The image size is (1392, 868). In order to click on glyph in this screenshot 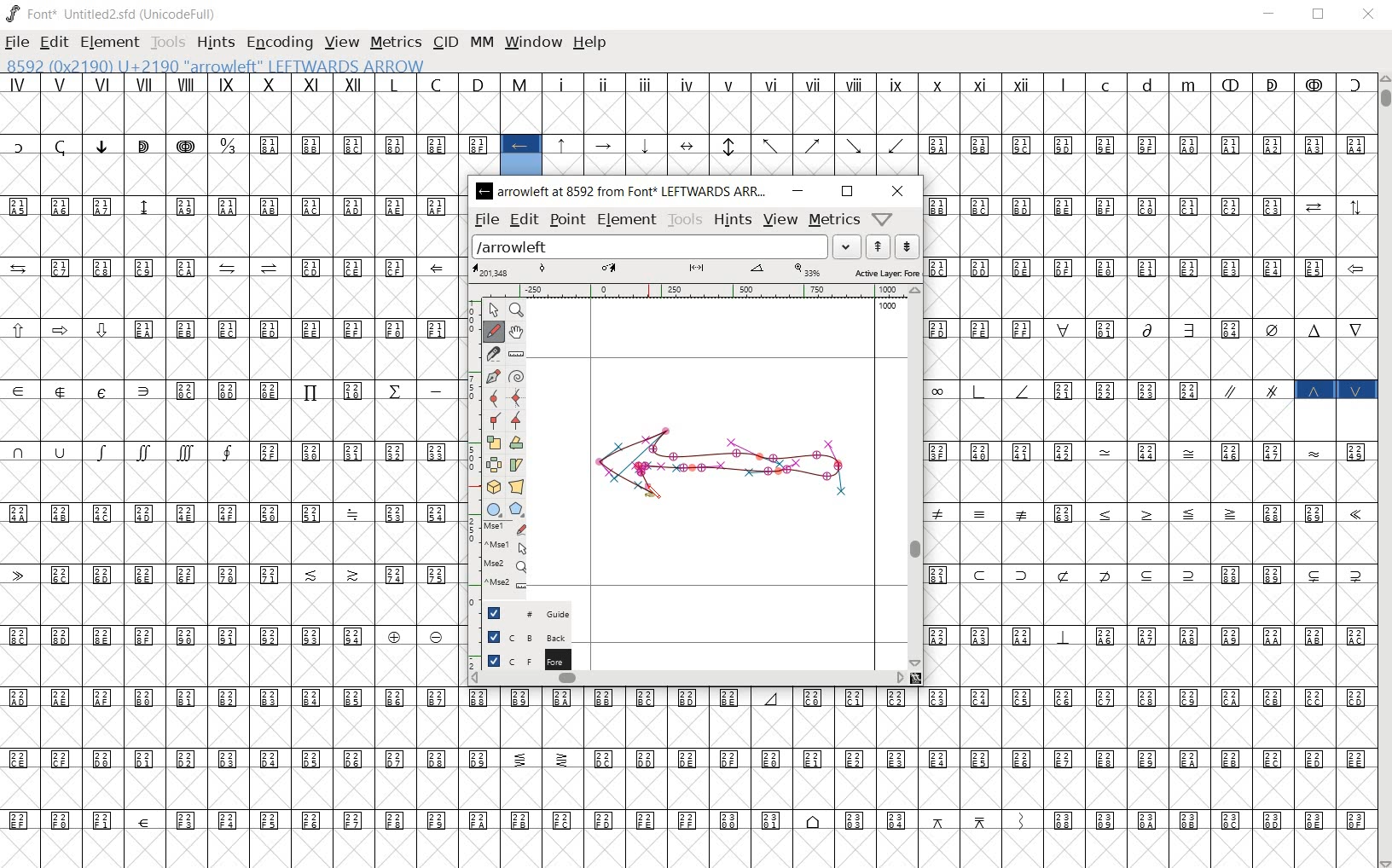, I will do `click(687, 124)`.